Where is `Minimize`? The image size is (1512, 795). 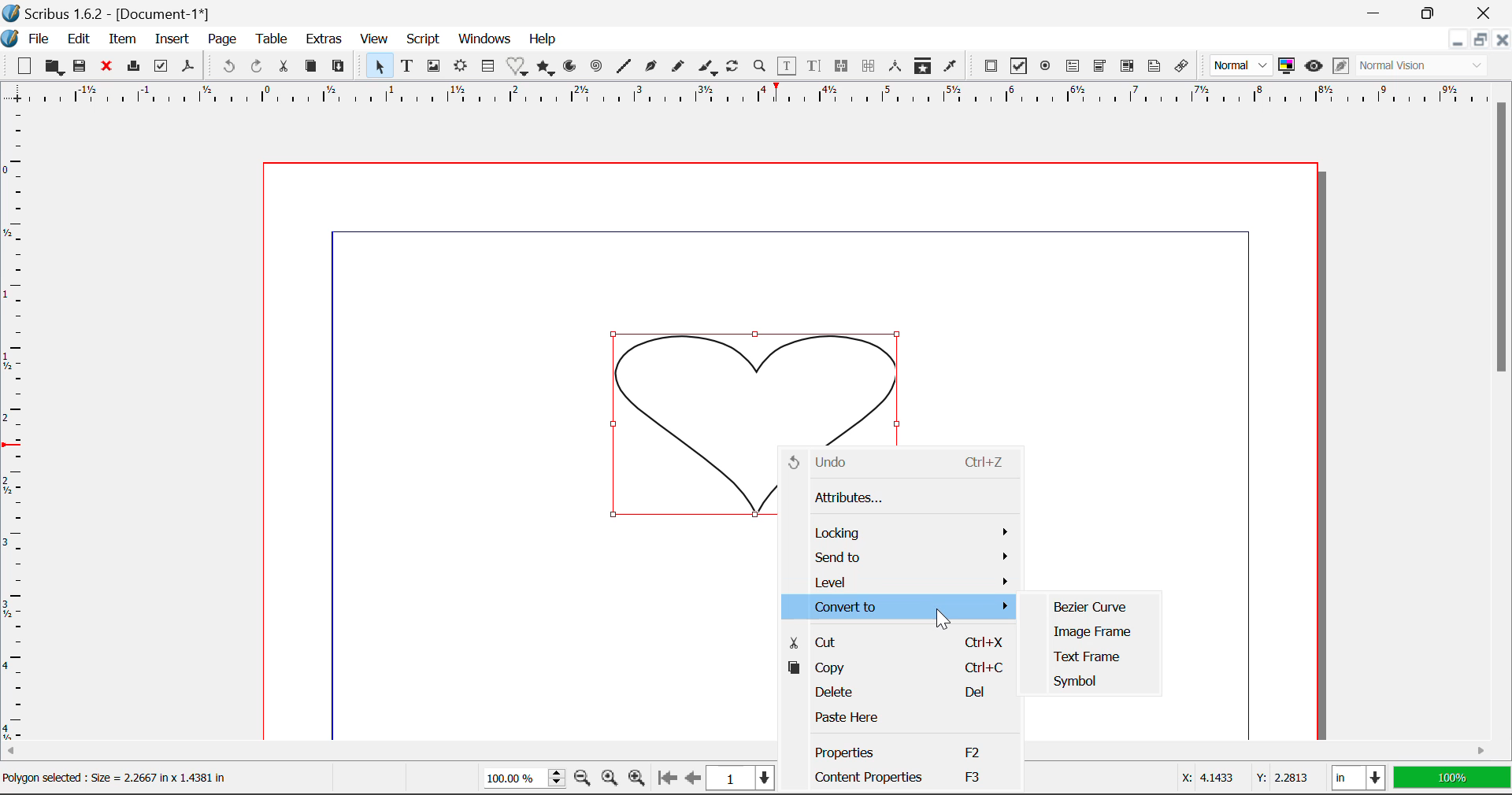 Minimize is located at coordinates (1482, 42).